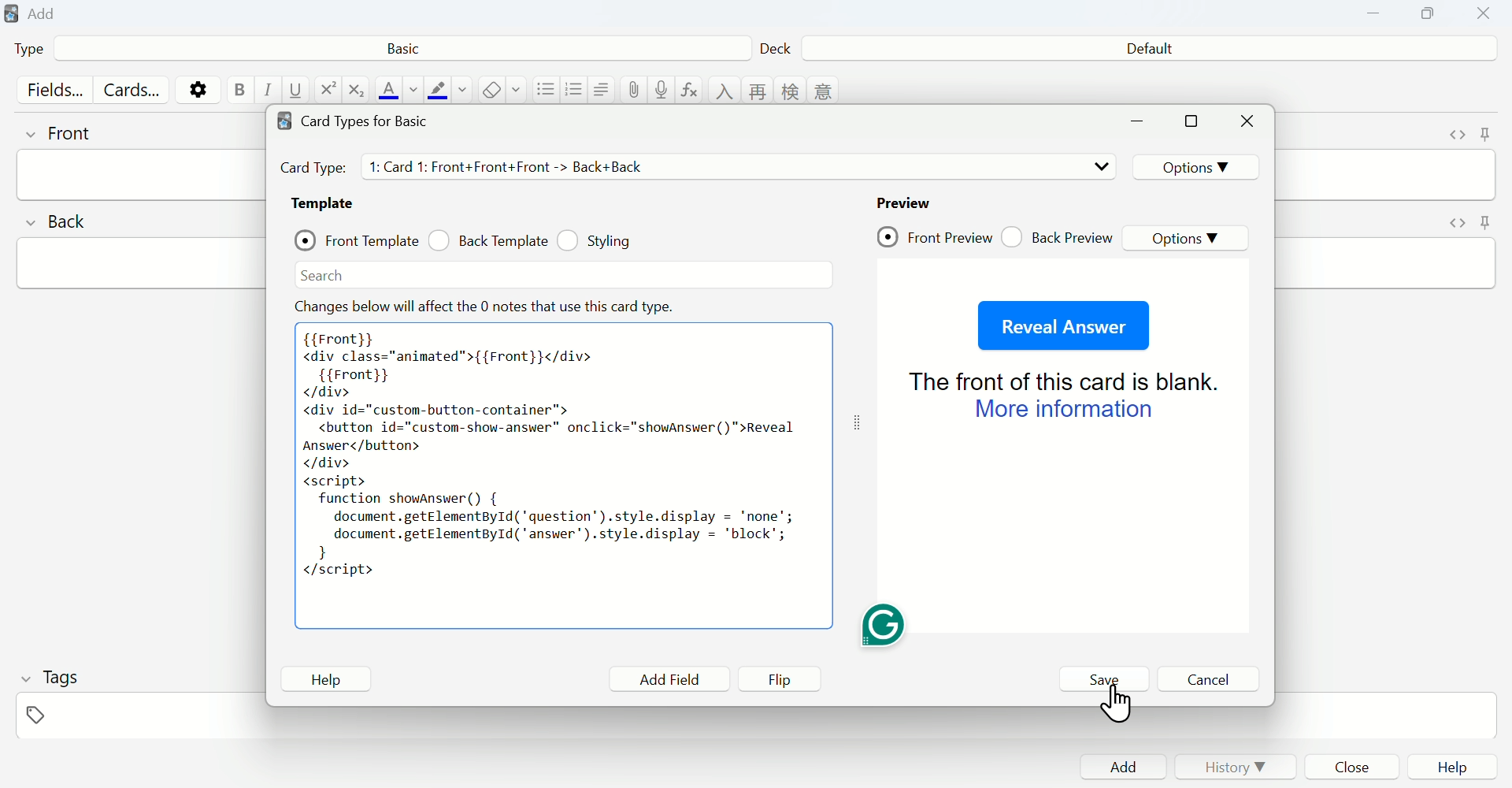  Describe the element at coordinates (413, 90) in the screenshot. I see `change color` at that location.